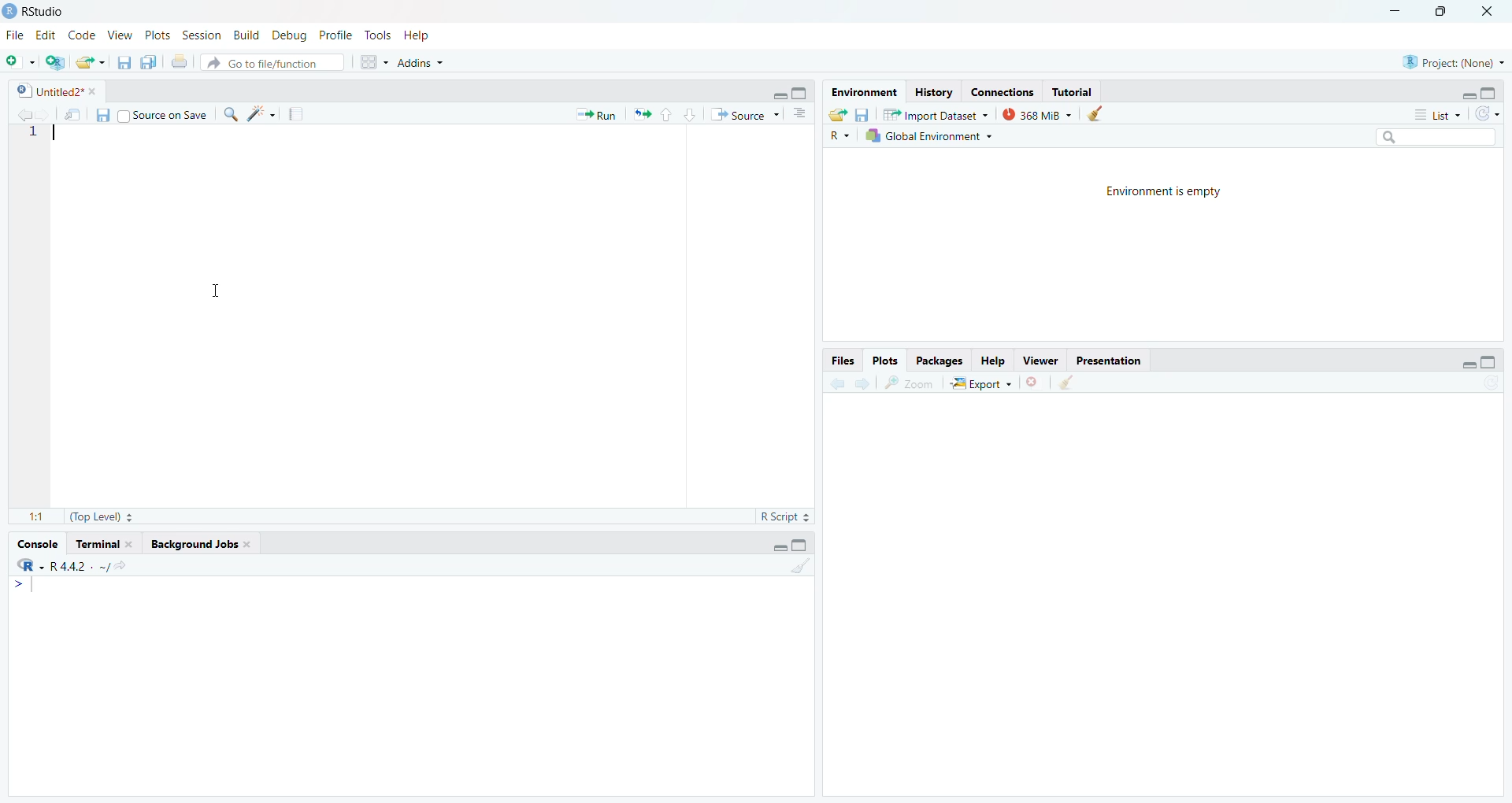 The height and width of the screenshot is (803, 1512). What do you see at coordinates (56, 62) in the screenshot?
I see `add script` at bounding box center [56, 62].